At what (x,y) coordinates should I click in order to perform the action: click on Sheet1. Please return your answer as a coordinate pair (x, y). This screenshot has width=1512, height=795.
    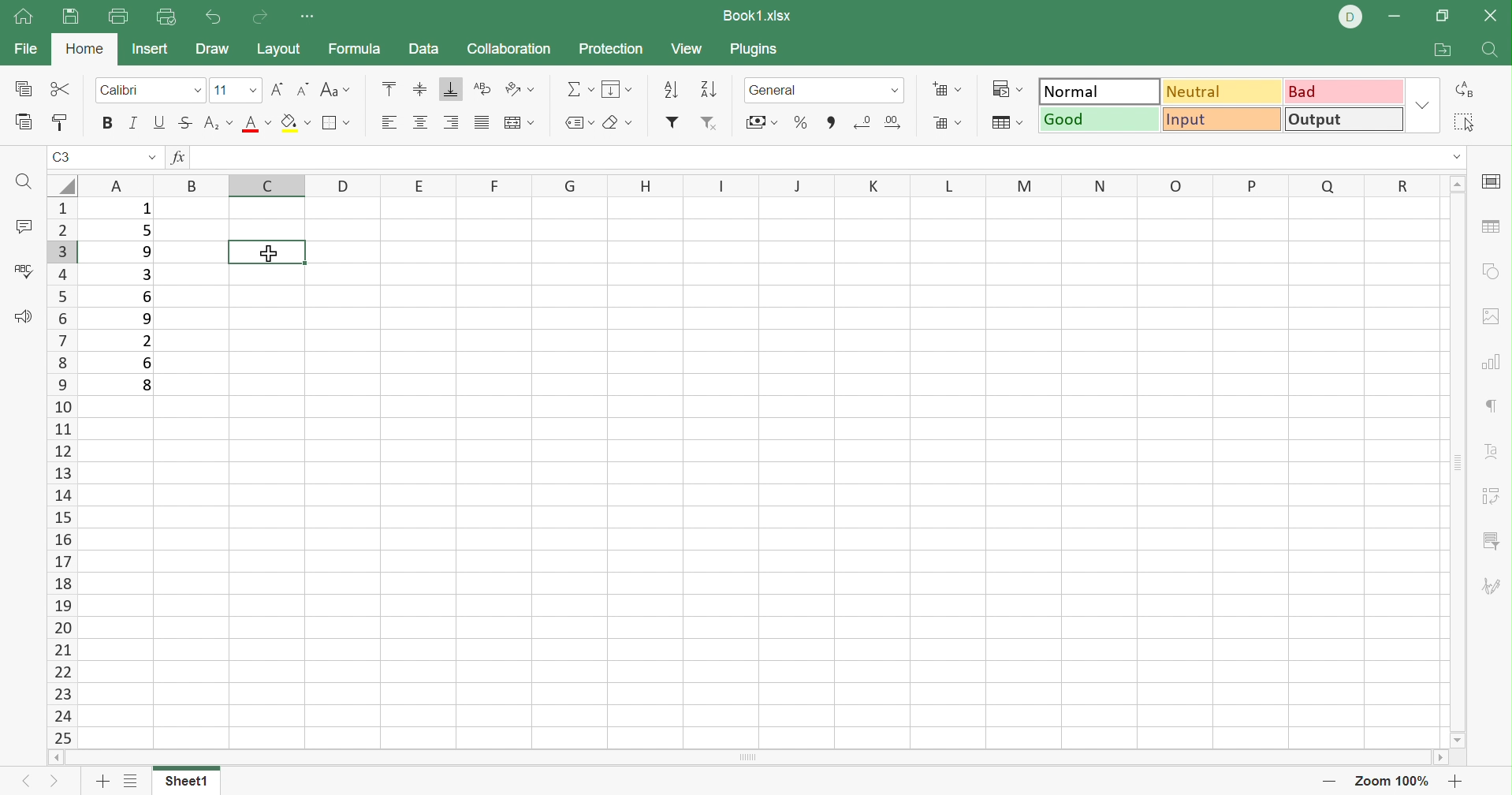
    Looking at the image, I should click on (191, 780).